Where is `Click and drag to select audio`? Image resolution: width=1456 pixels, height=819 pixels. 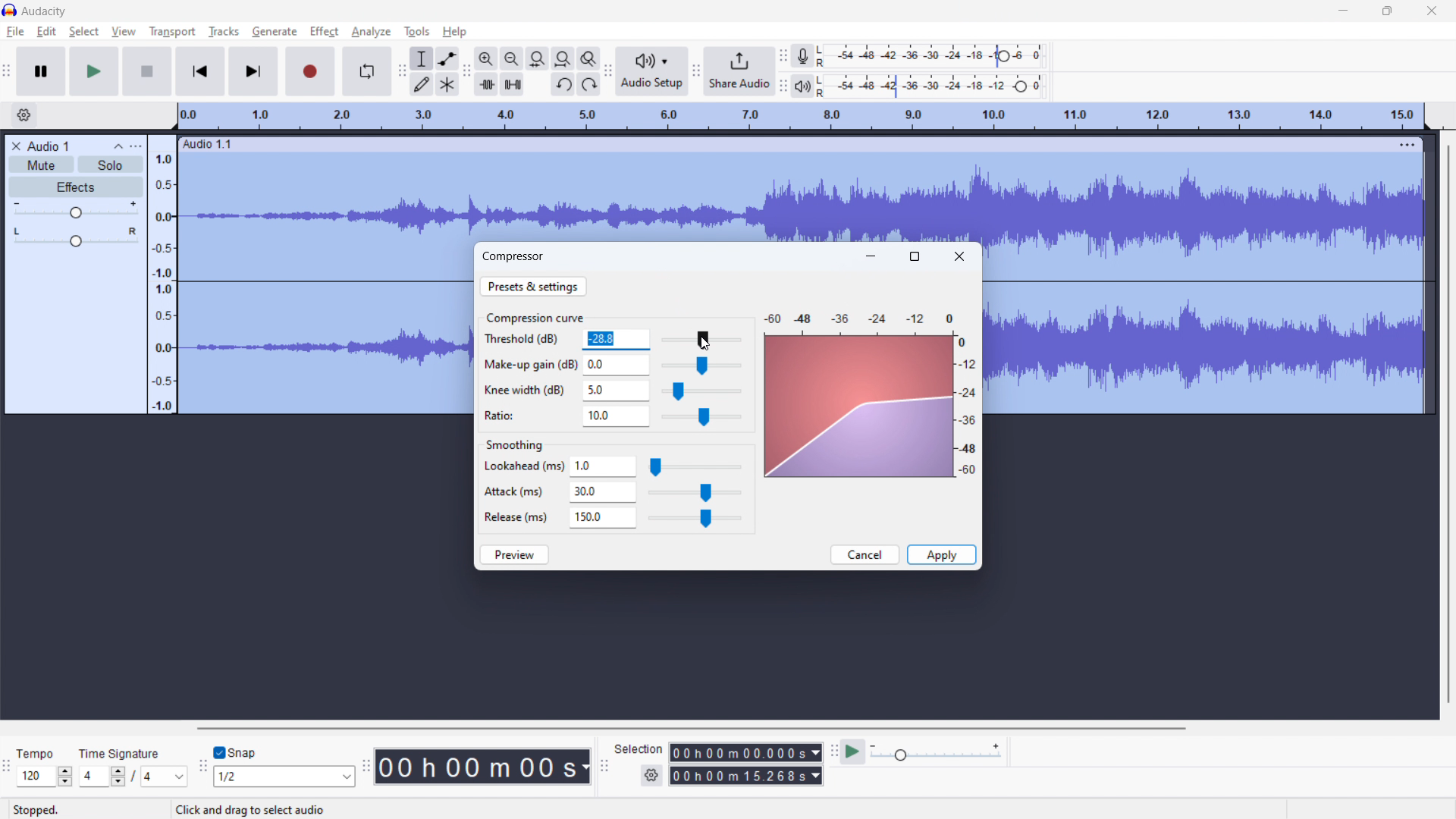
Click and drag to select audio is located at coordinates (243, 809).